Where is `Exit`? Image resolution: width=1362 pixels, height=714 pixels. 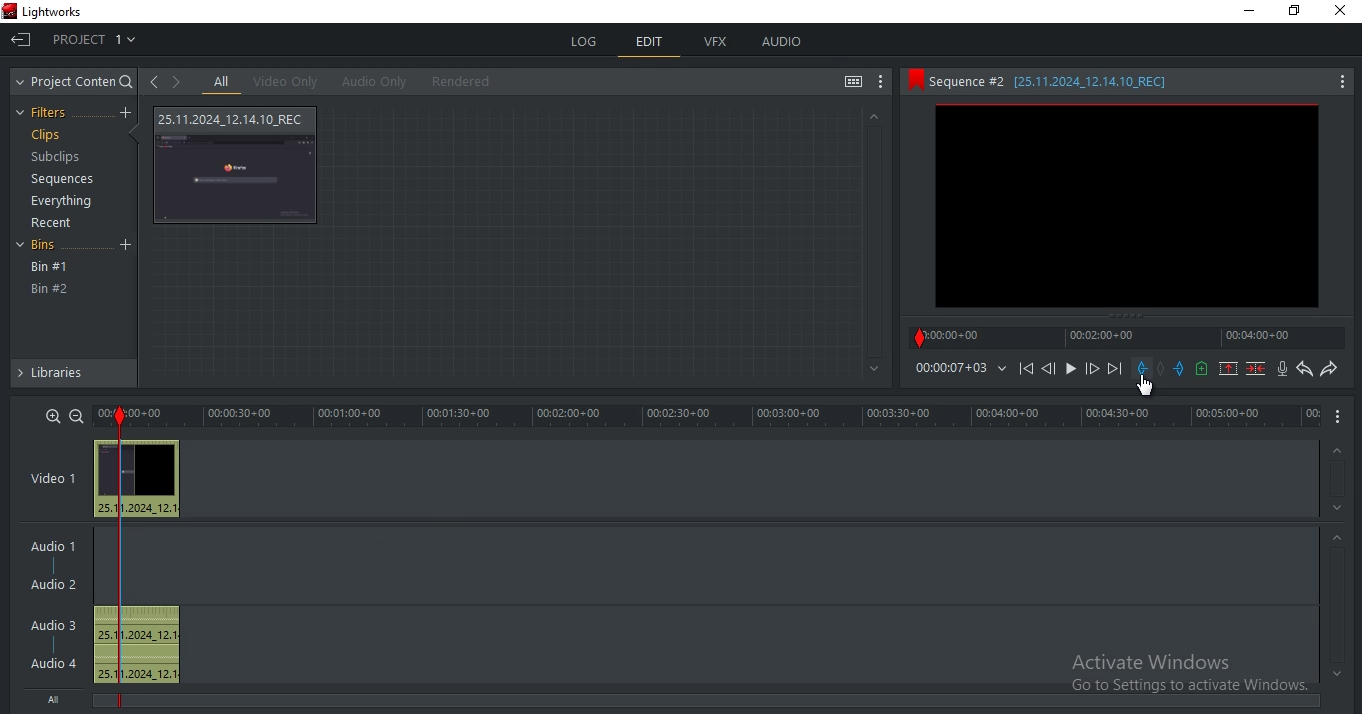 Exit is located at coordinates (21, 38).